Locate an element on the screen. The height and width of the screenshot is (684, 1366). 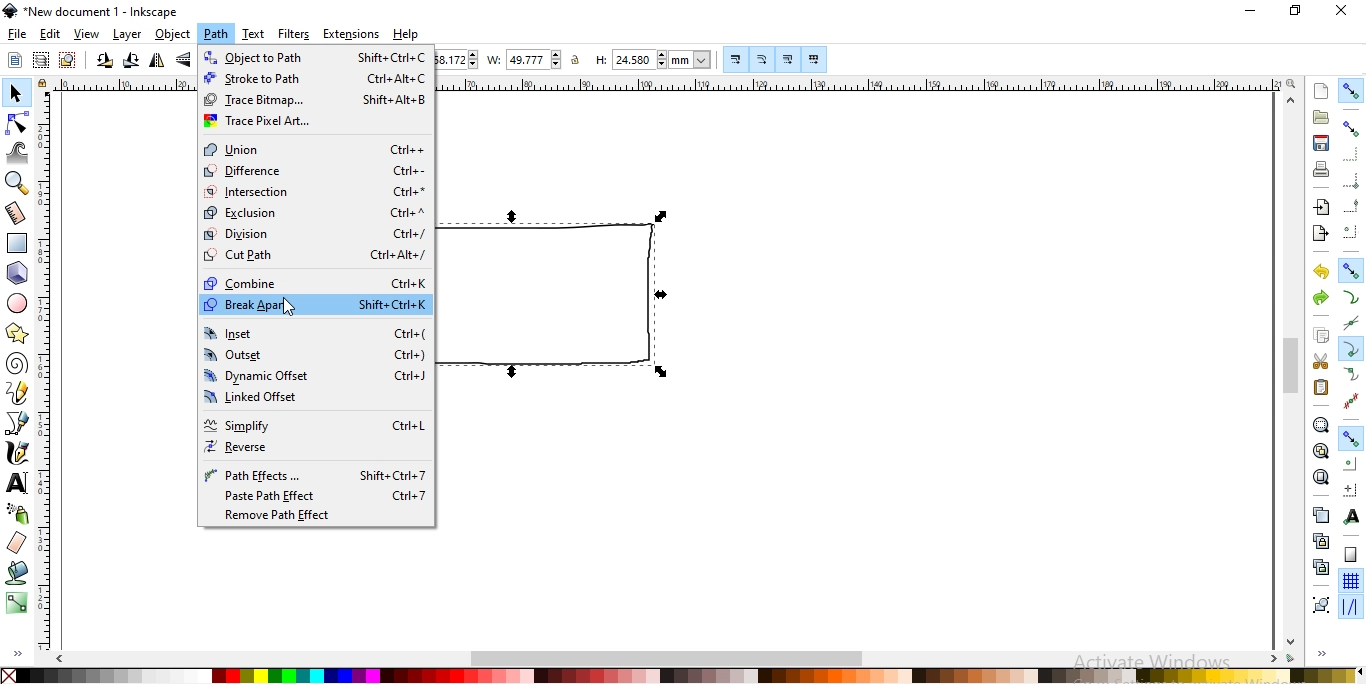
stroke to path is located at coordinates (313, 78).